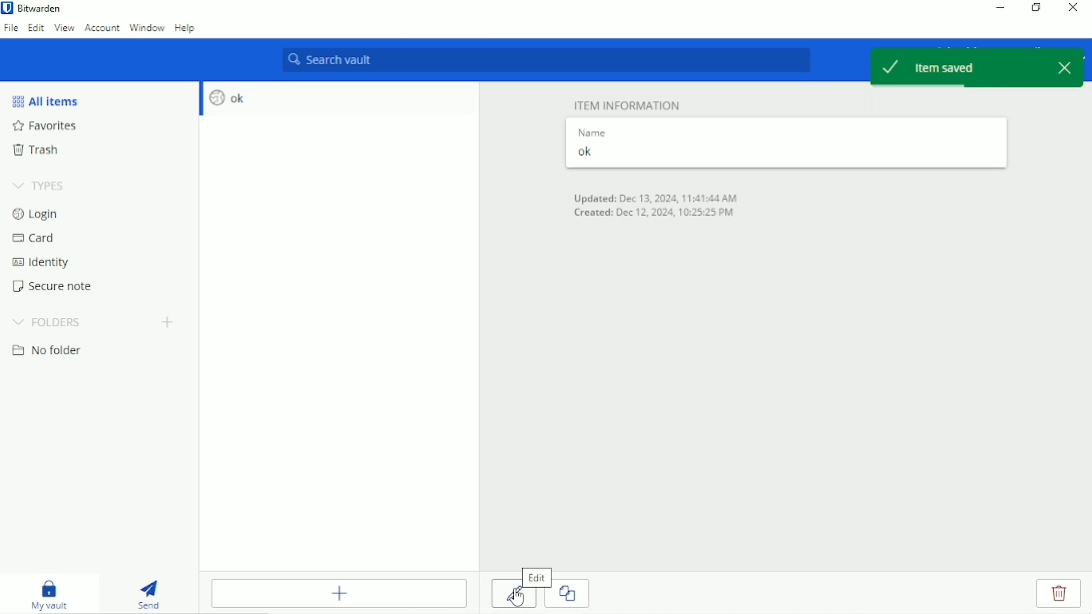 This screenshot has width=1092, height=614. What do you see at coordinates (229, 99) in the screenshot?
I see `ok` at bounding box center [229, 99].